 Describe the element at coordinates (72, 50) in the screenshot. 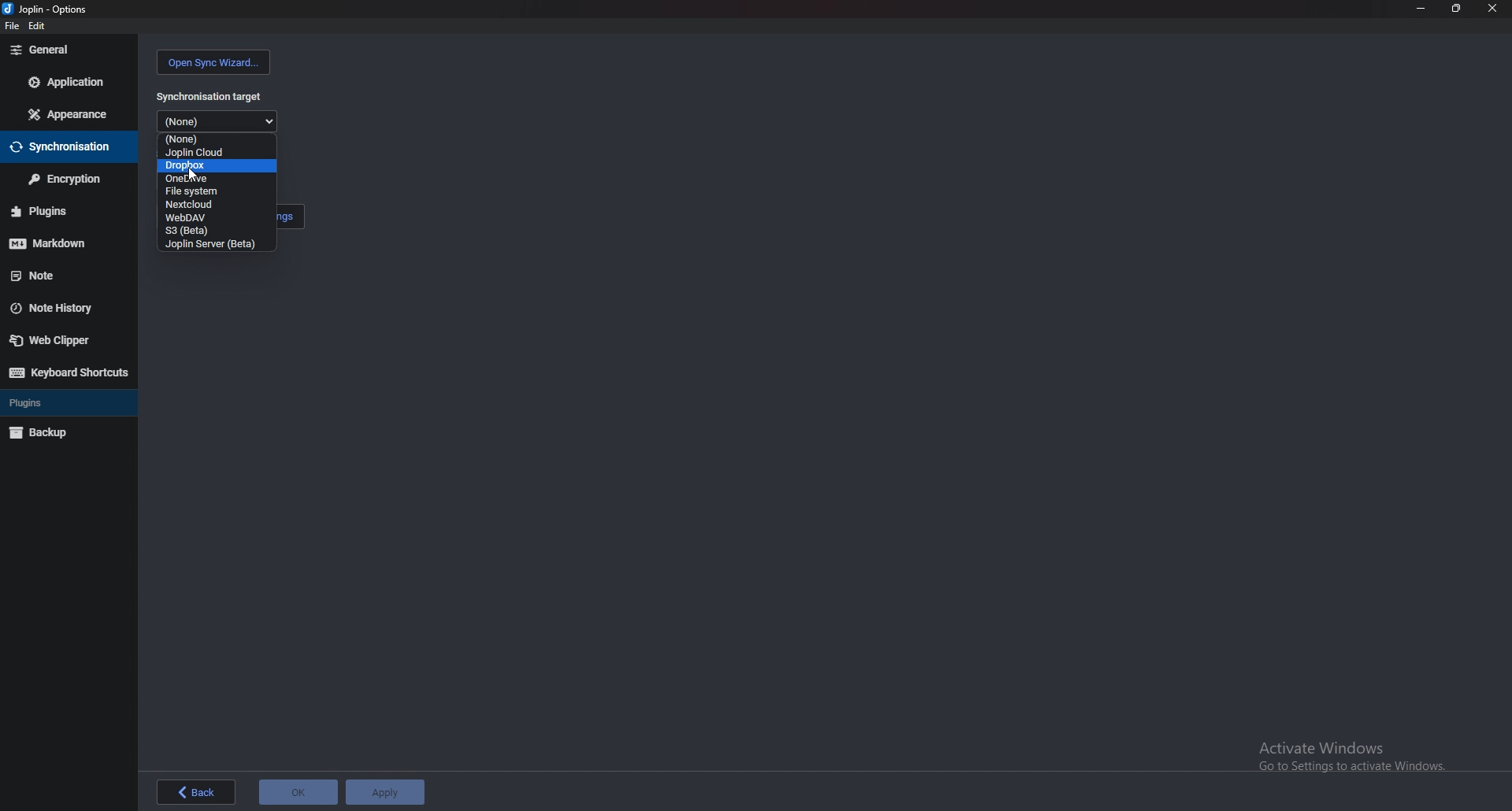

I see `general` at that location.